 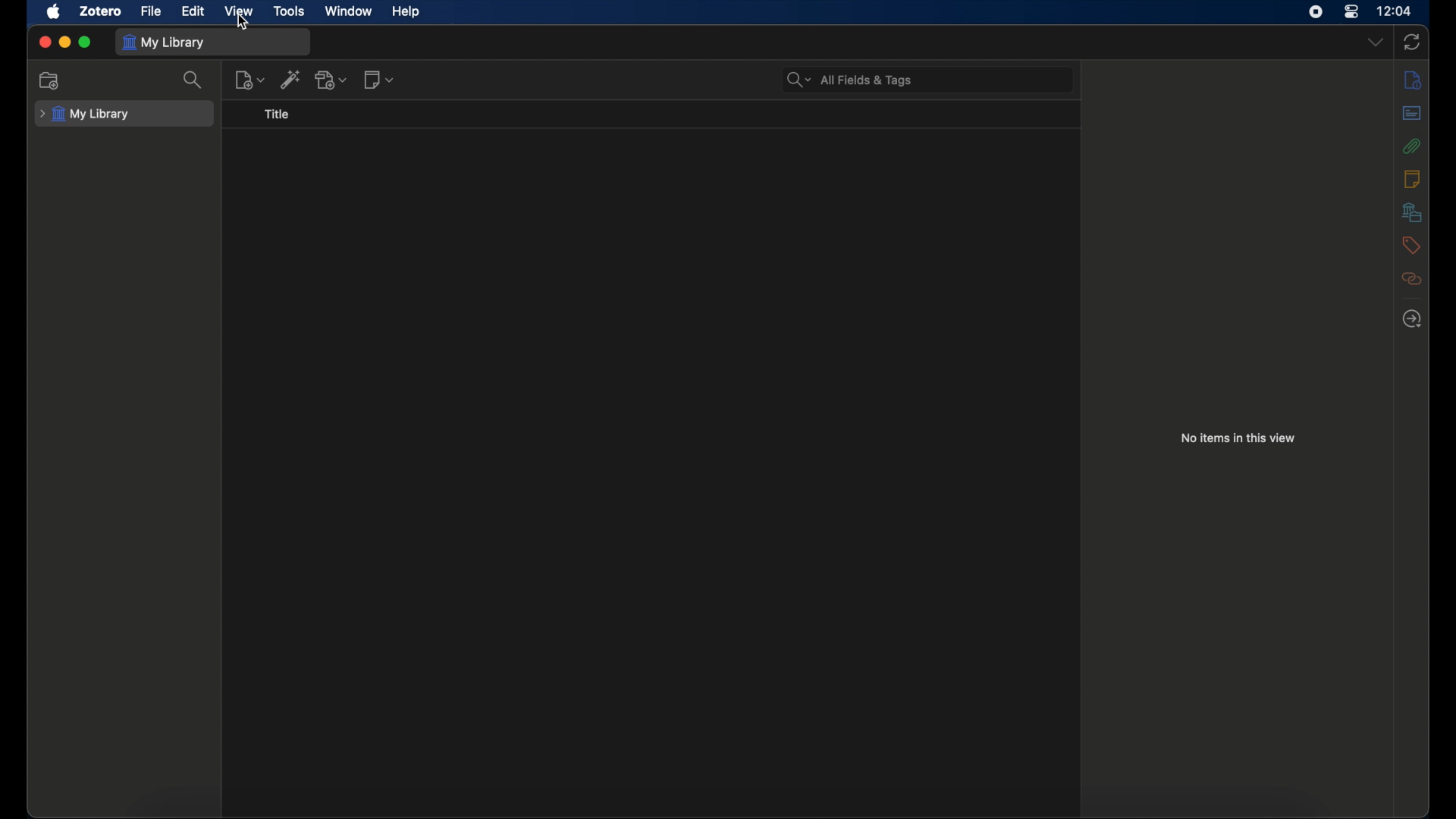 I want to click on edit, so click(x=196, y=11).